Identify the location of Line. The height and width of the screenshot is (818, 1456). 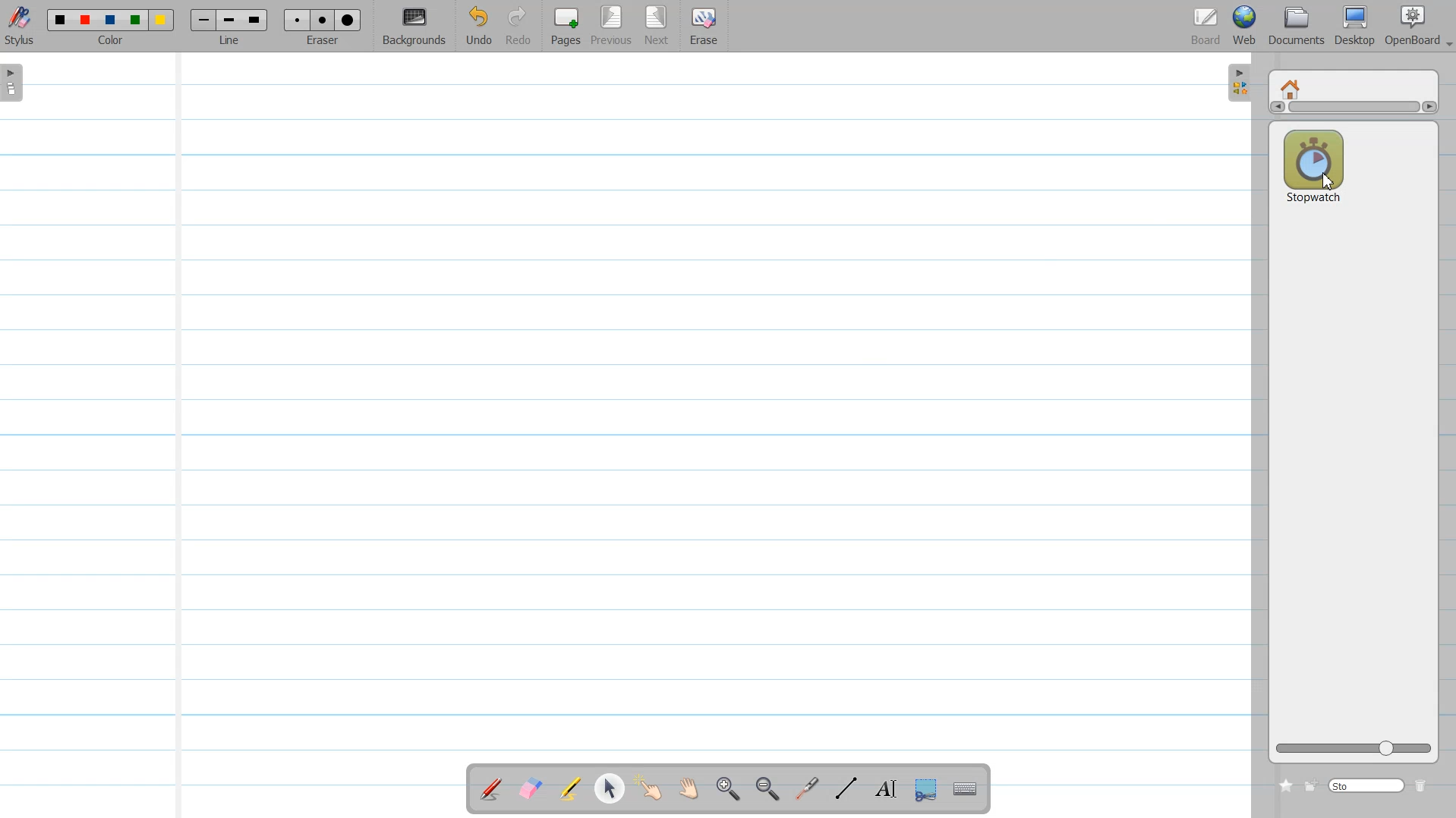
(229, 27).